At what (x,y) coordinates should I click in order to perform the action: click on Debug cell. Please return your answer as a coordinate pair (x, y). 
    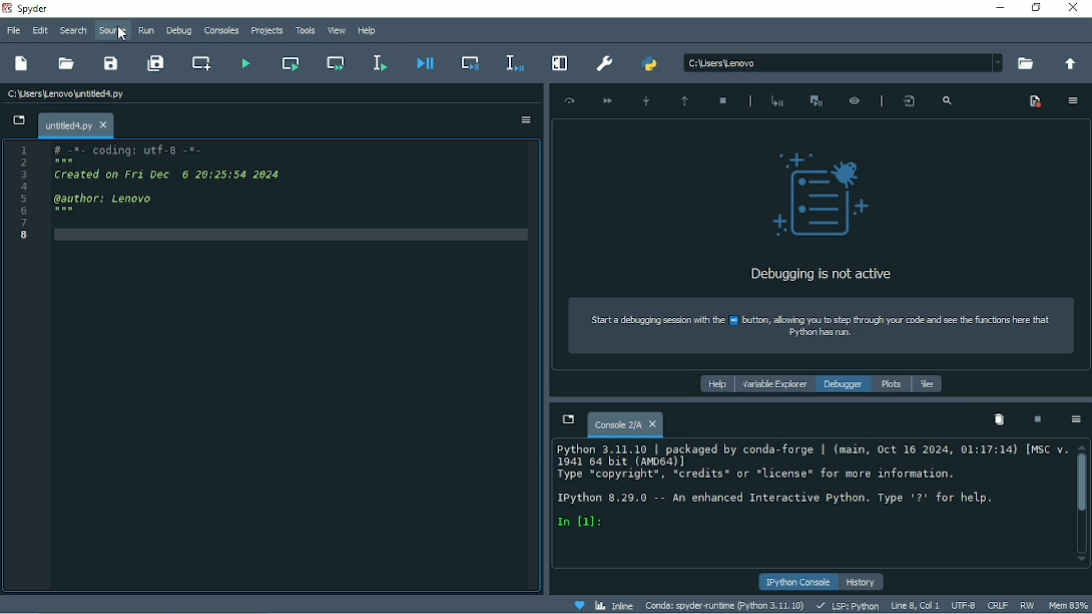
    Looking at the image, I should click on (472, 62).